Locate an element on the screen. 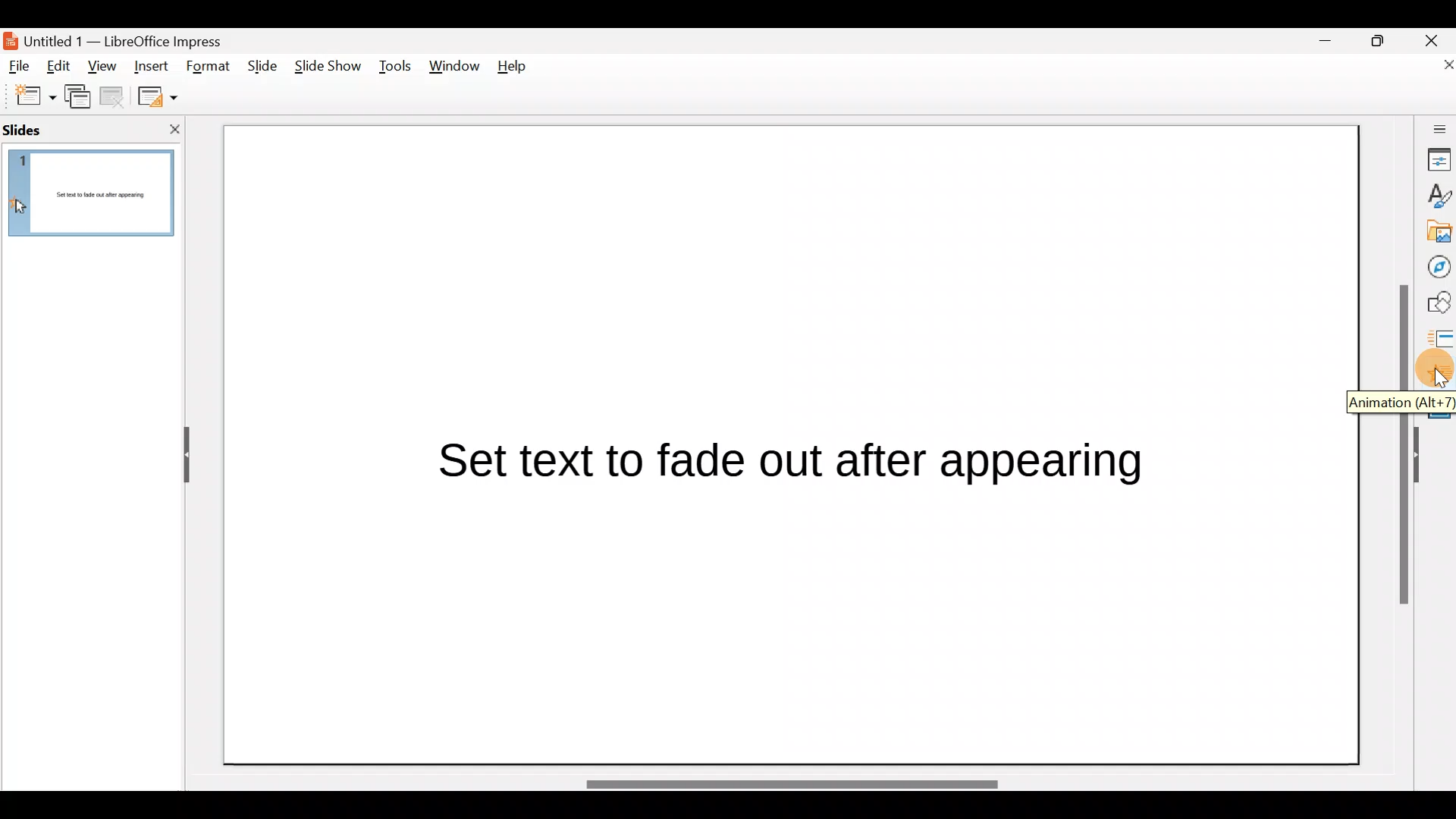 Image resolution: width=1456 pixels, height=819 pixels. Document name is located at coordinates (124, 39).